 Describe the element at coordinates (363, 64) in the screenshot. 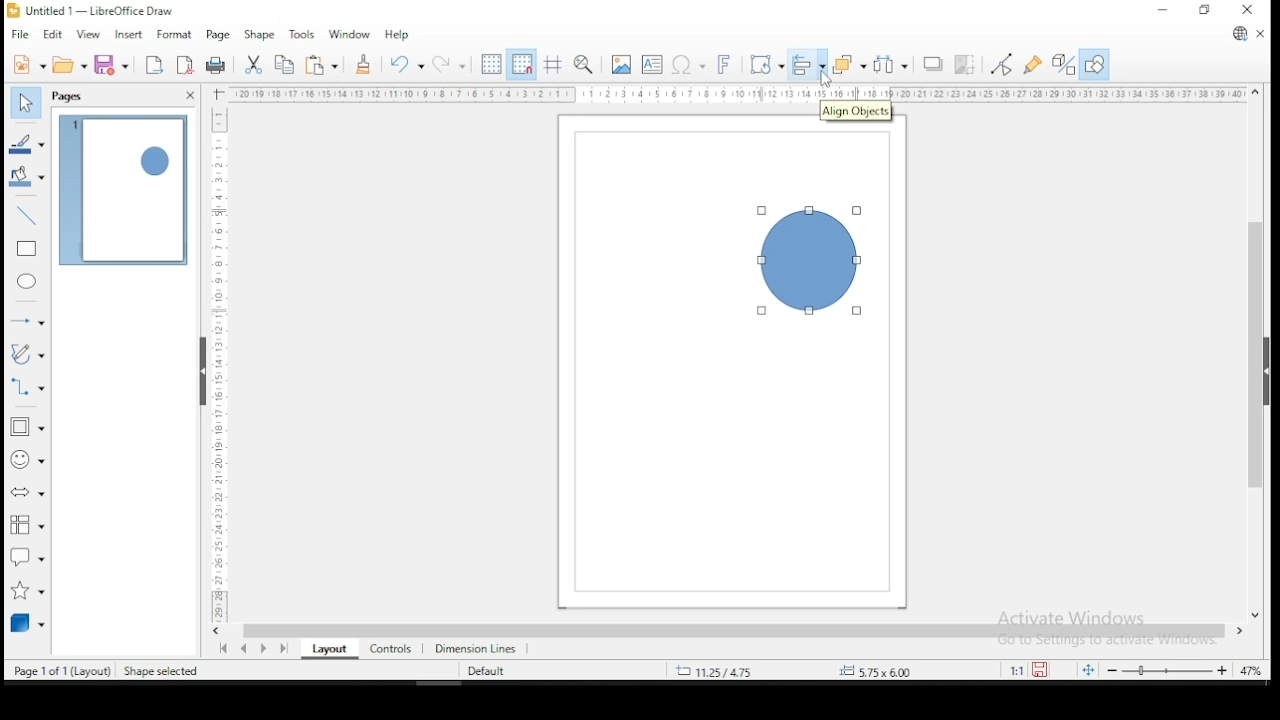

I see `clone formatting` at that location.